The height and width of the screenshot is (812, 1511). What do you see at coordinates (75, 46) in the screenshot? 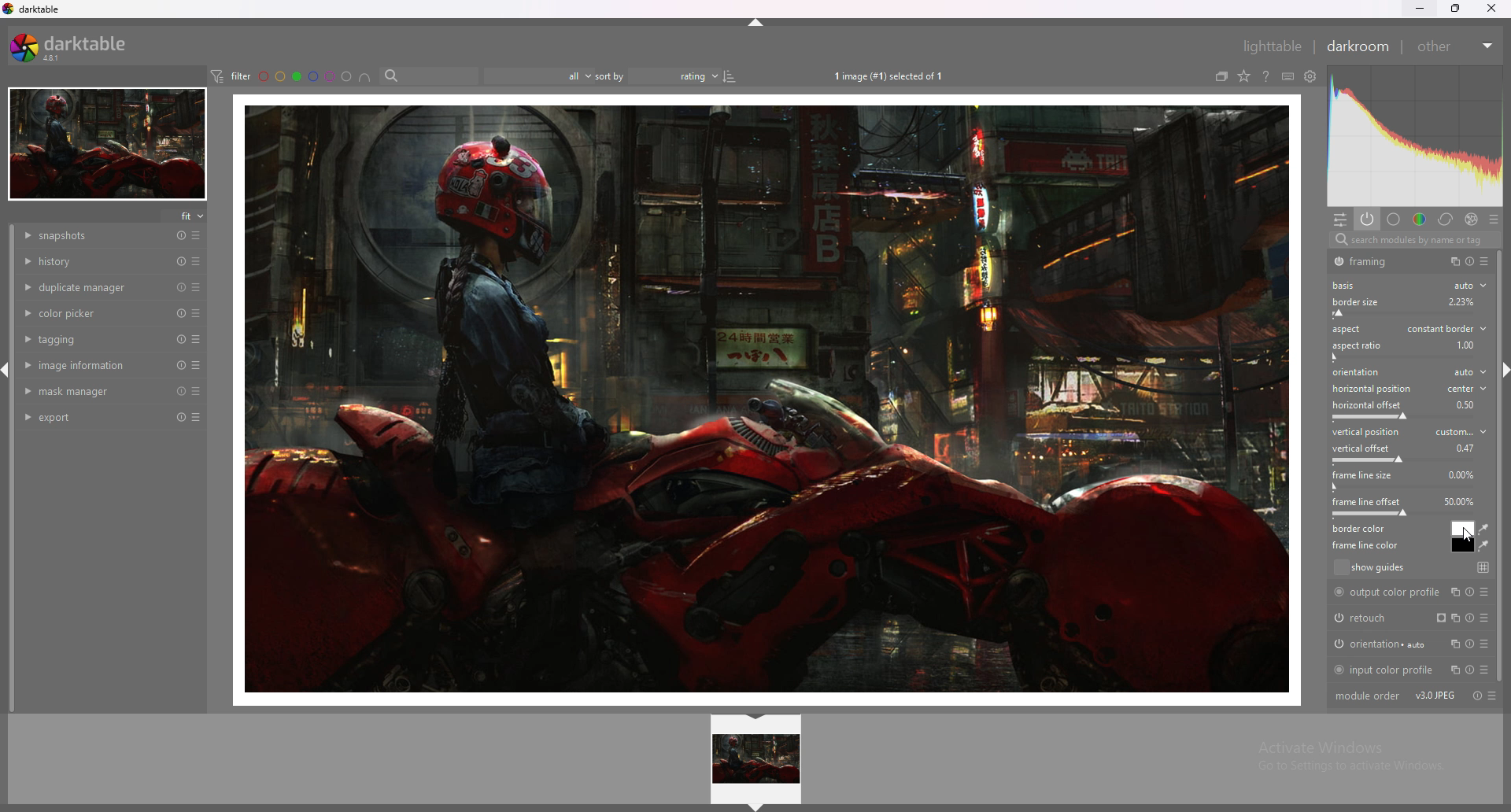
I see `darktable` at bounding box center [75, 46].